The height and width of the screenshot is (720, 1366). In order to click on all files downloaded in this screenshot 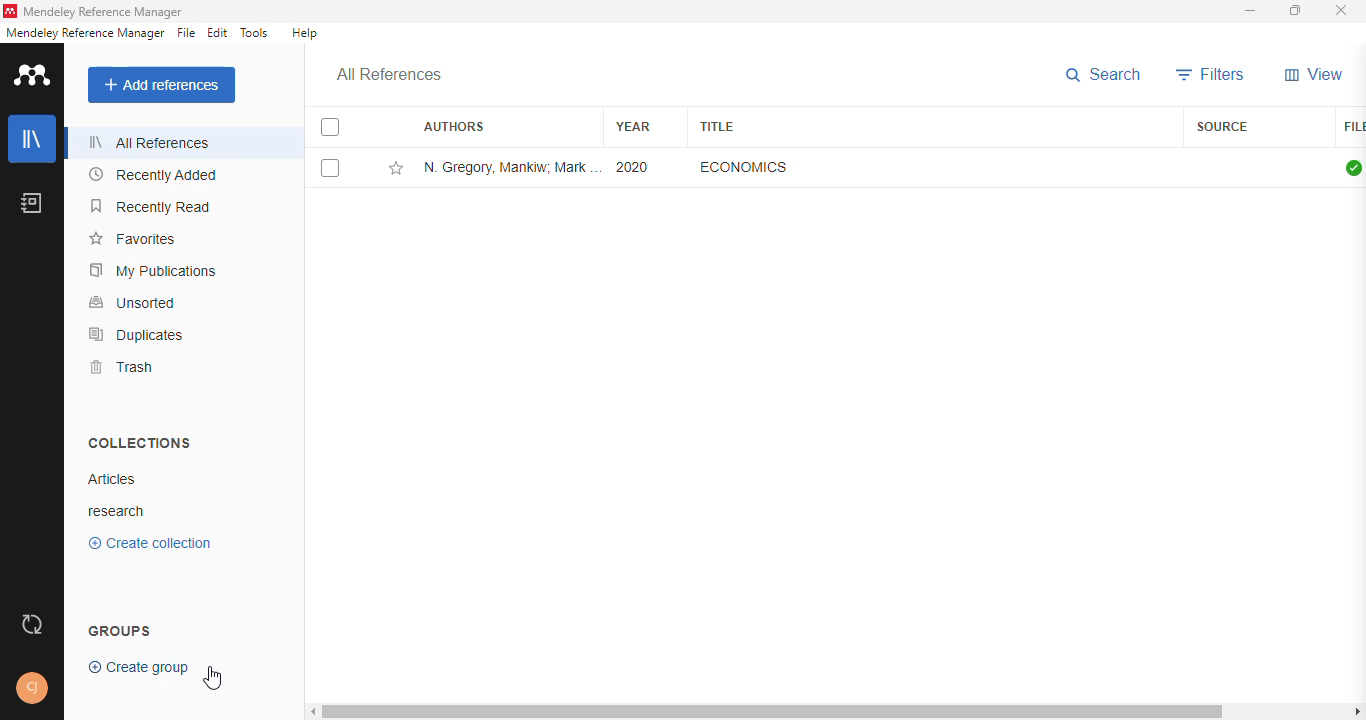, I will do `click(1351, 168)`.